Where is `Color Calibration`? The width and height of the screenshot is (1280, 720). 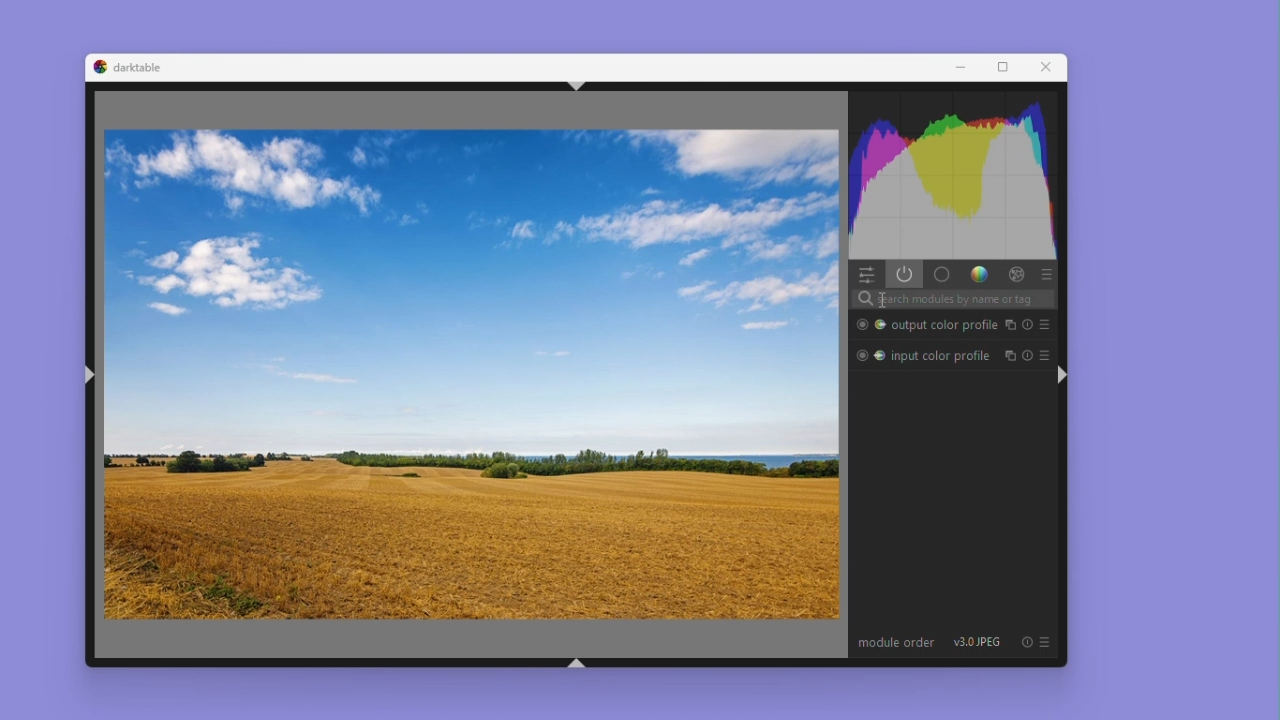 Color Calibration is located at coordinates (880, 357).